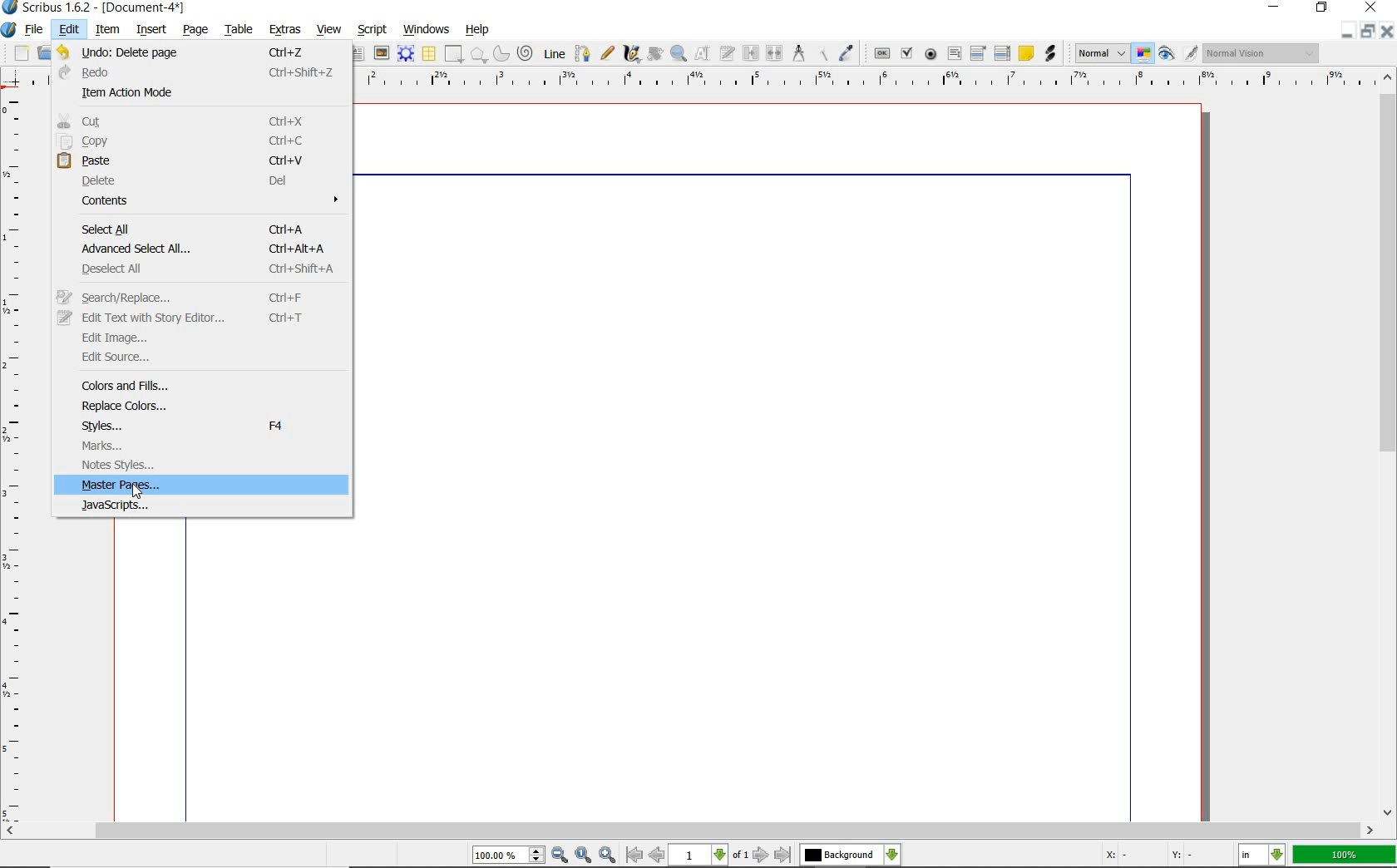 This screenshot has height=868, width=1397. What do you see at coordinates (478, 56) in the screenshot?
I see `polygon` at bounding box center [478, 56].